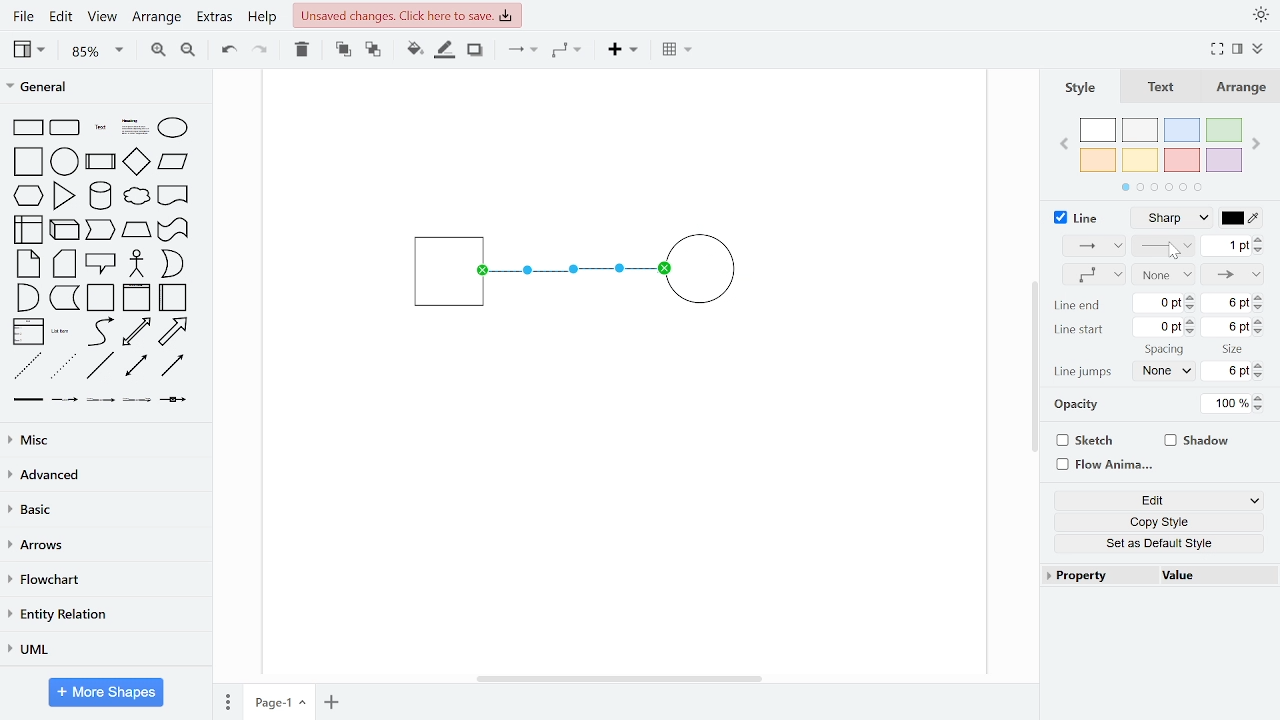  What do you see at coordinates (172, 264) in the screenshot?
I see `or` at bounding box center [172, 264].